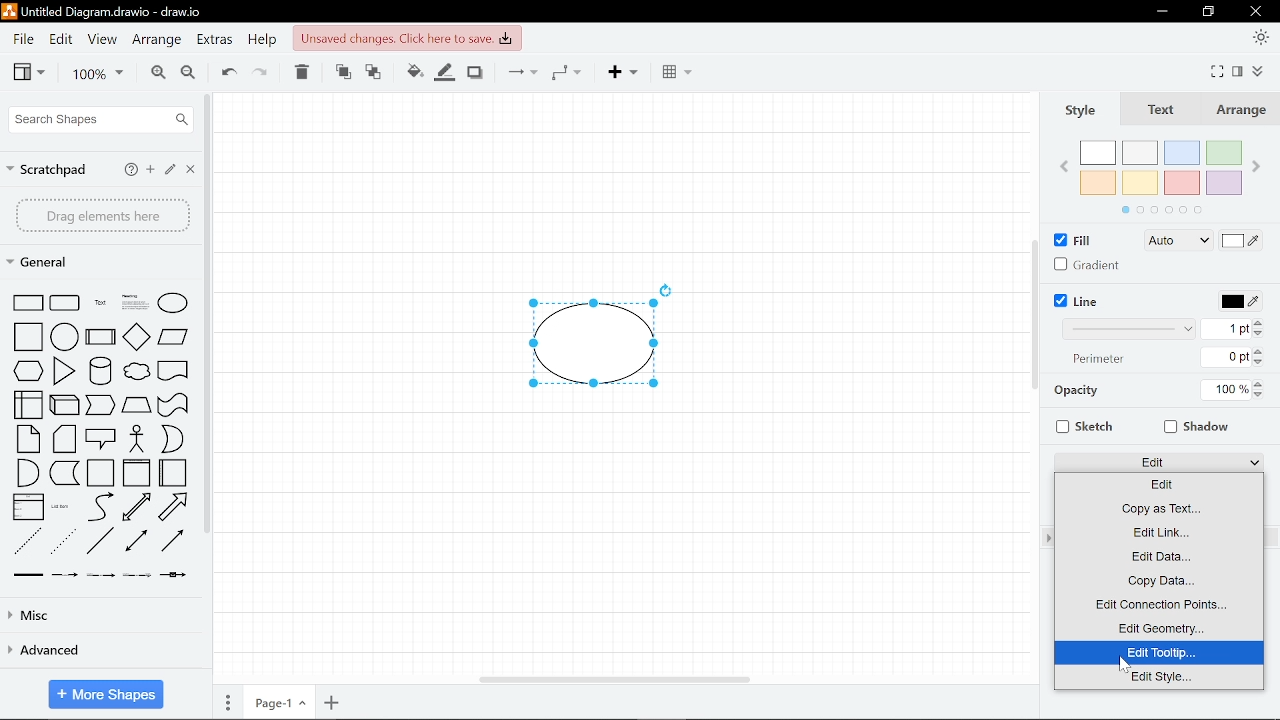 This screenshot has width=1280, height=720. I want to click on Scratchpad, so click(47, 169).